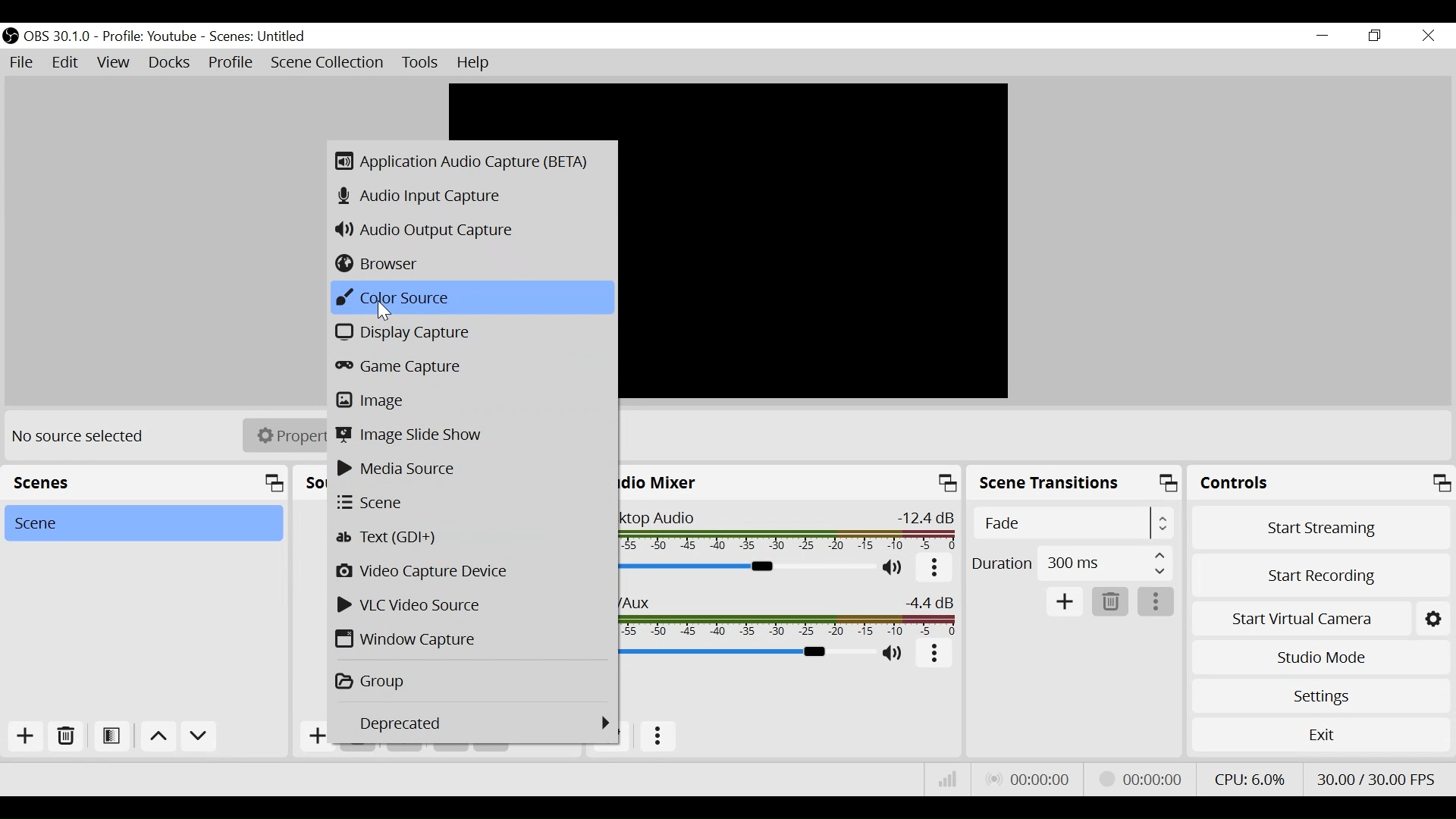 The width and height of the screenshot is (1456, 819). I want to click on Controls, so click(1322, 485).